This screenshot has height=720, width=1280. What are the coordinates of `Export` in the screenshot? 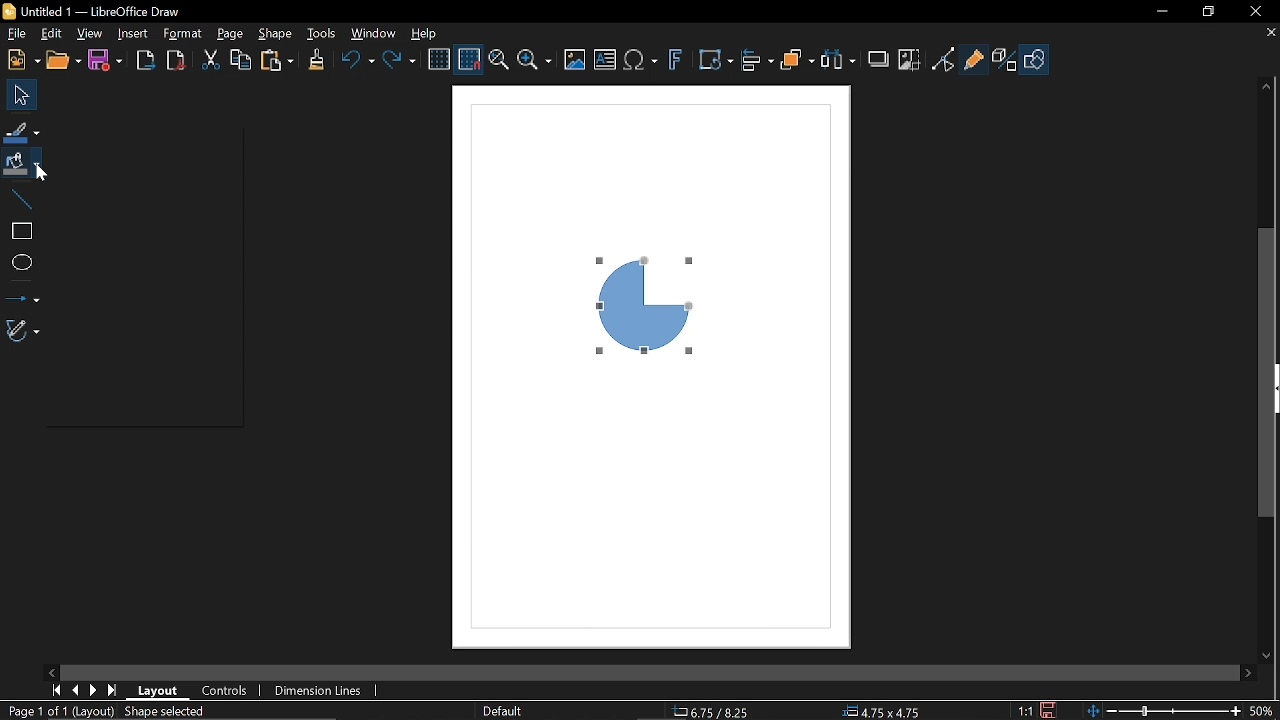 It's located at (142, 61).